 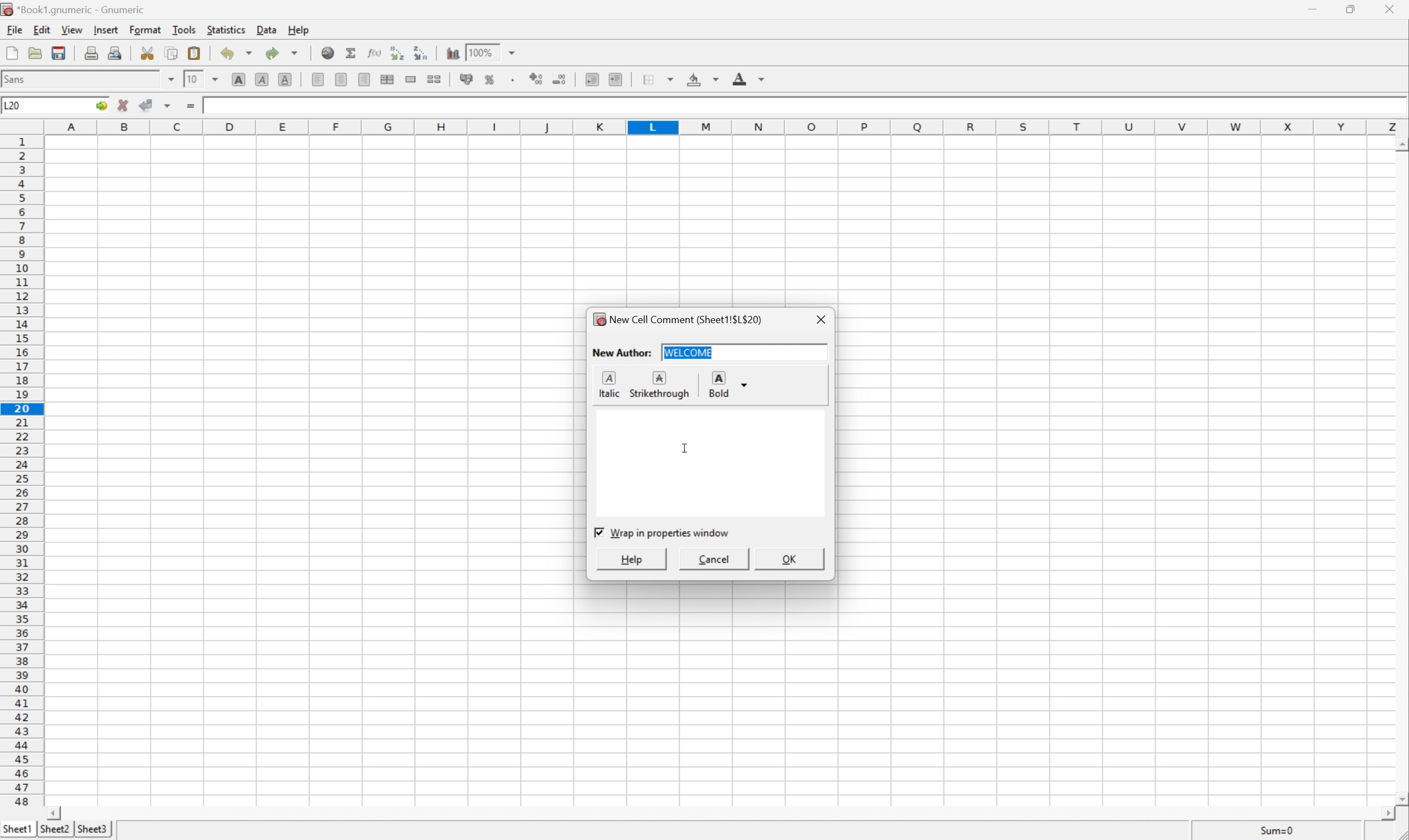 What do you see at coordinates (821, 319) in the screenshot?
I see `Close` at bounding box center [821, 319].